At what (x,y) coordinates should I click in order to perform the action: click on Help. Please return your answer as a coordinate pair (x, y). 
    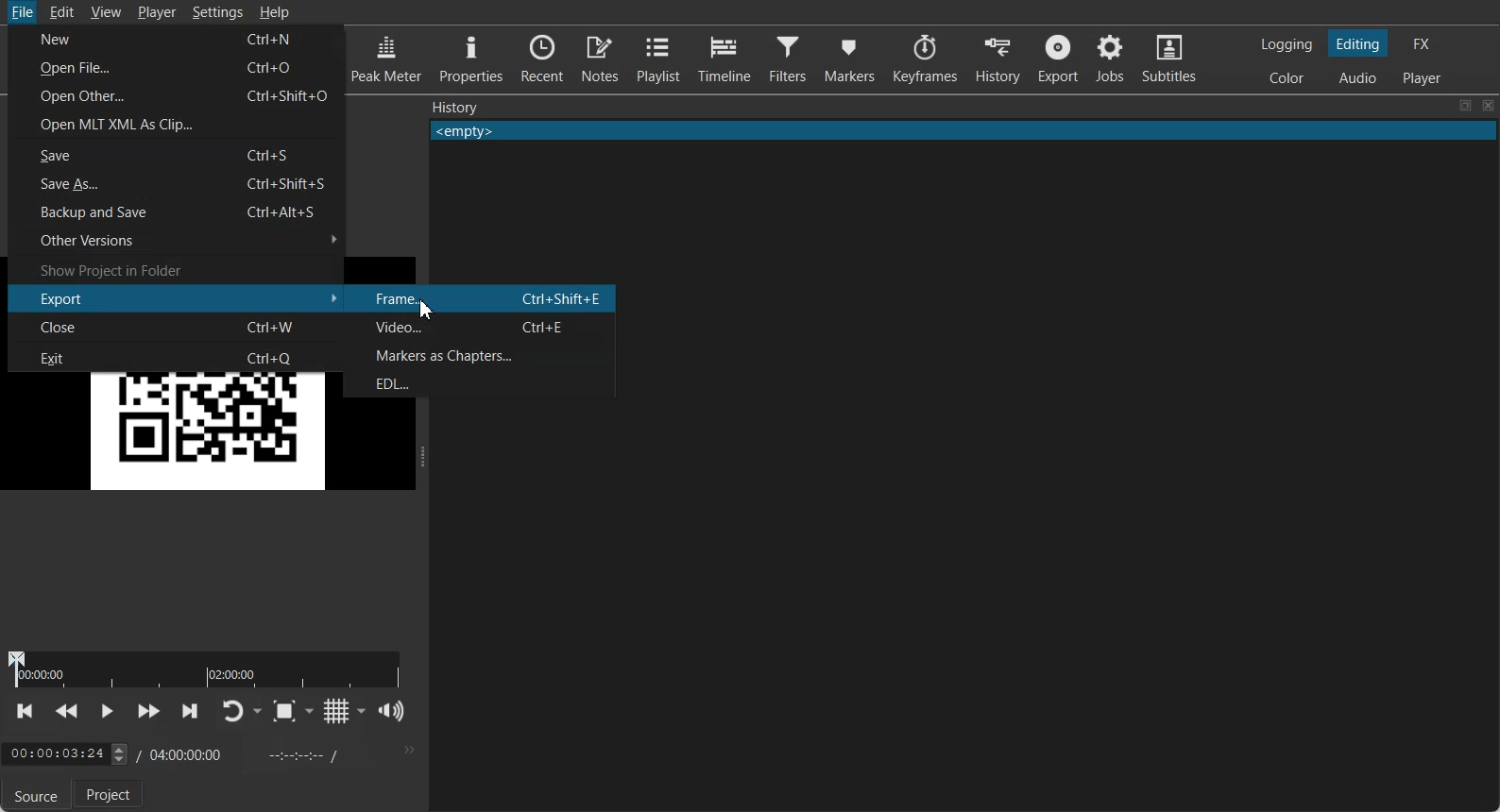
    Looking at the image, I should click on (274, 11).